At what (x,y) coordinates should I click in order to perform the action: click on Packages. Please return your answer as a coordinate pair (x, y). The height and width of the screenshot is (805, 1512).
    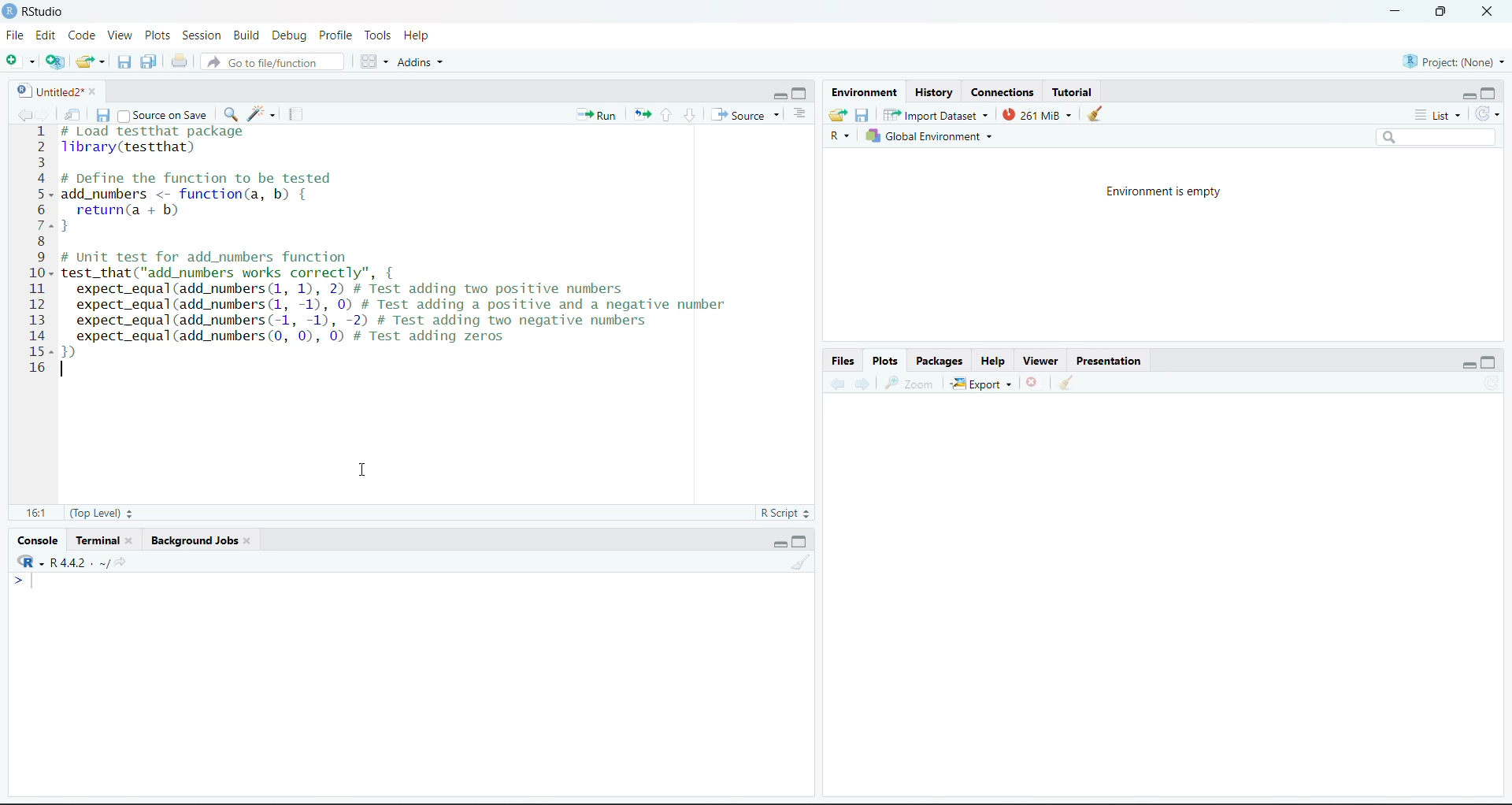
    Looking at the image, I should click on (939, 362).